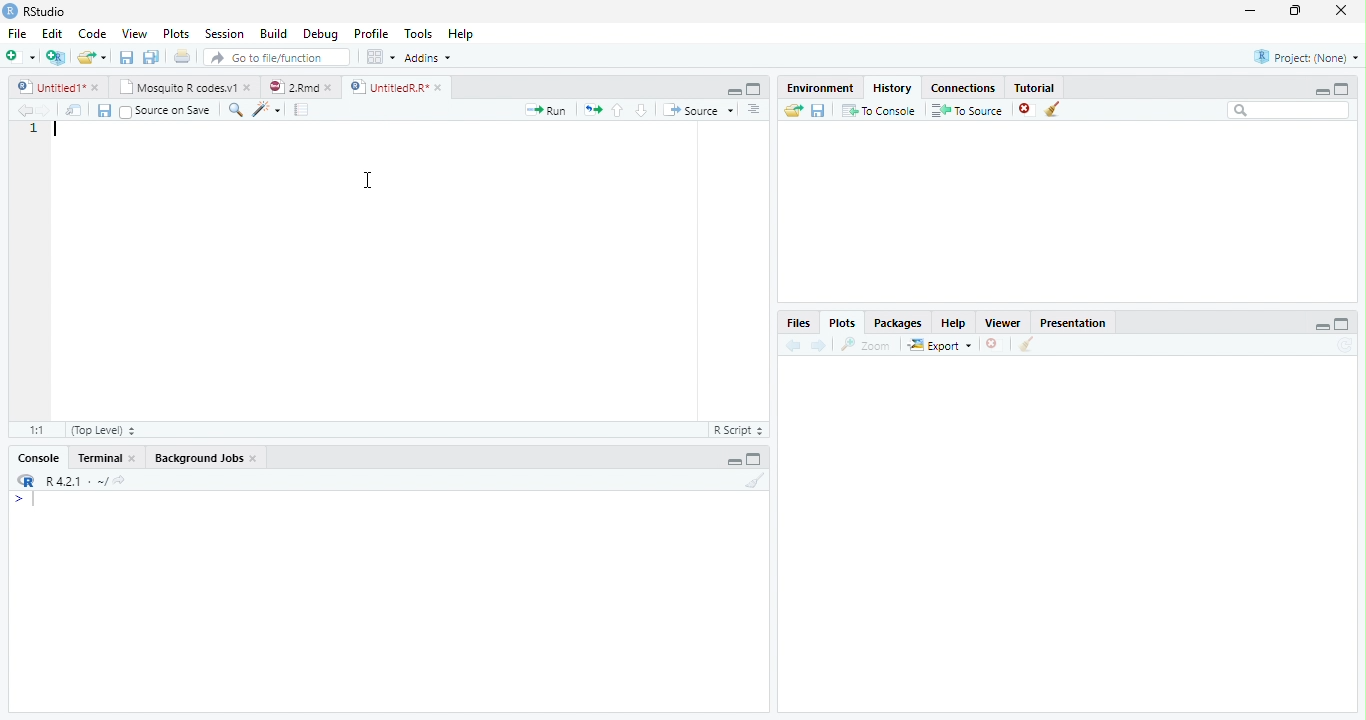  I want to click on export, so click(939, 346).